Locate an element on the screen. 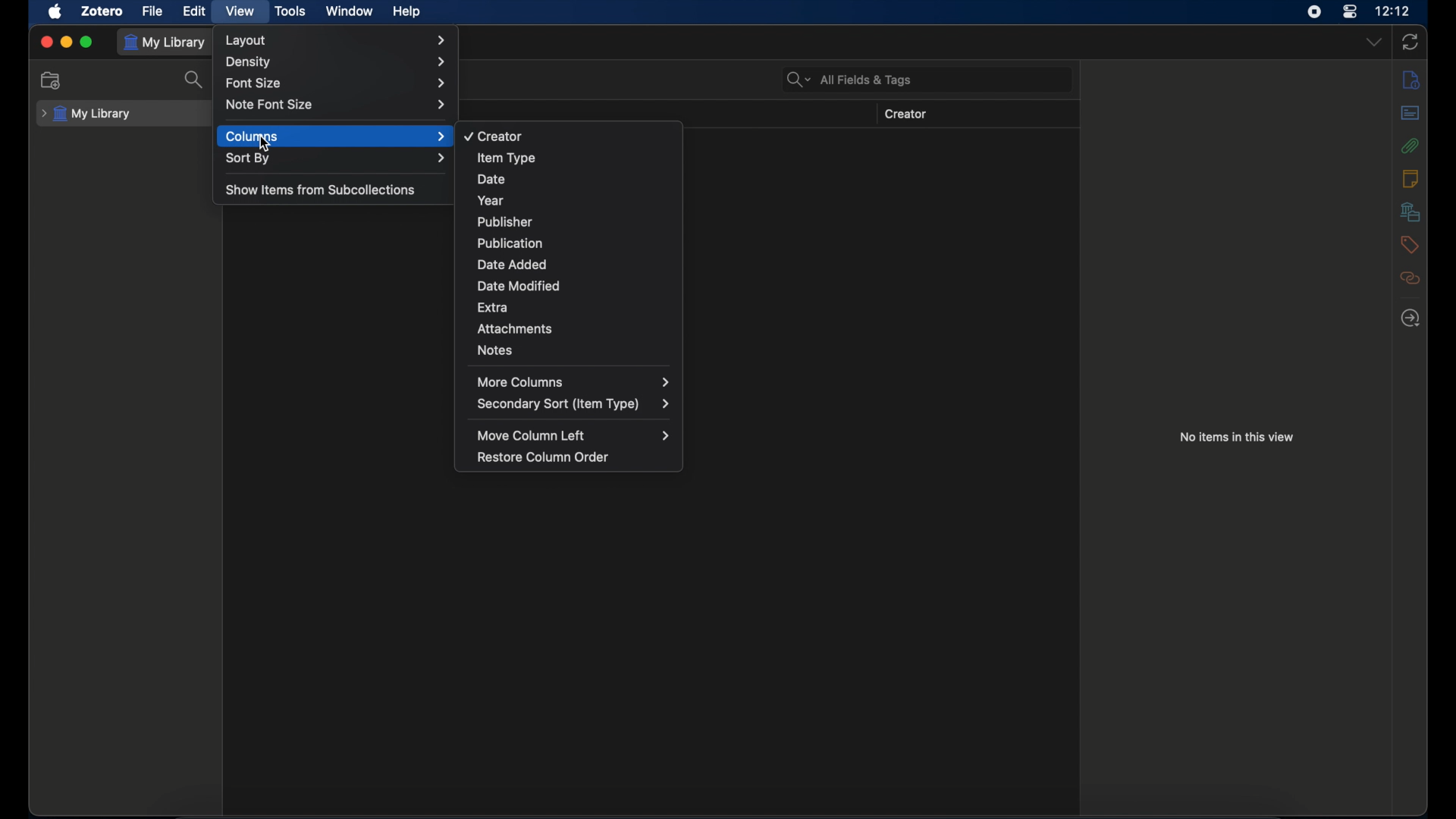 This screenshot has width=1456, height=819. year is located at coordinates (488, 200).